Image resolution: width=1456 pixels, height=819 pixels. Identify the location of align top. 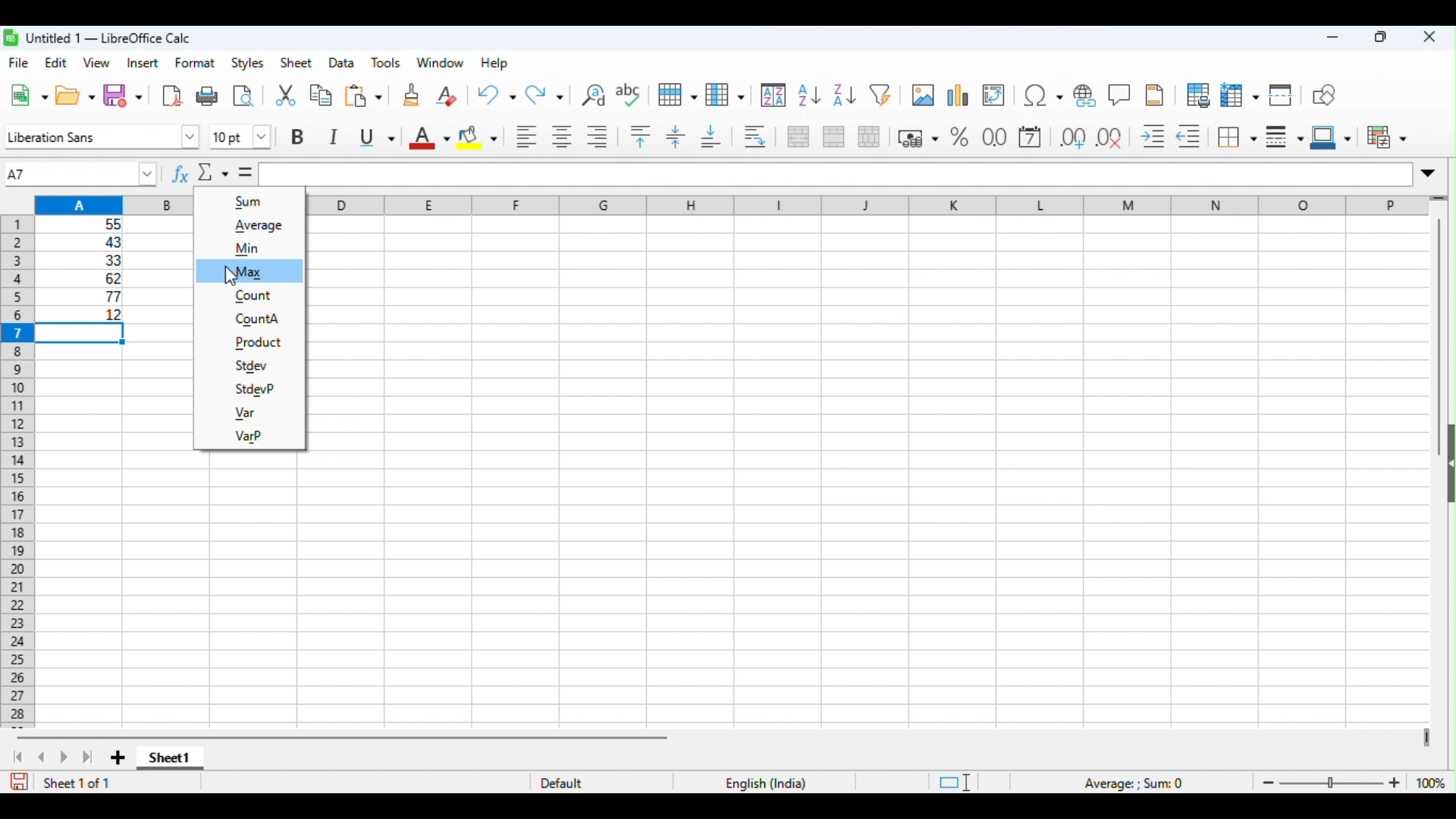
(642, 136).